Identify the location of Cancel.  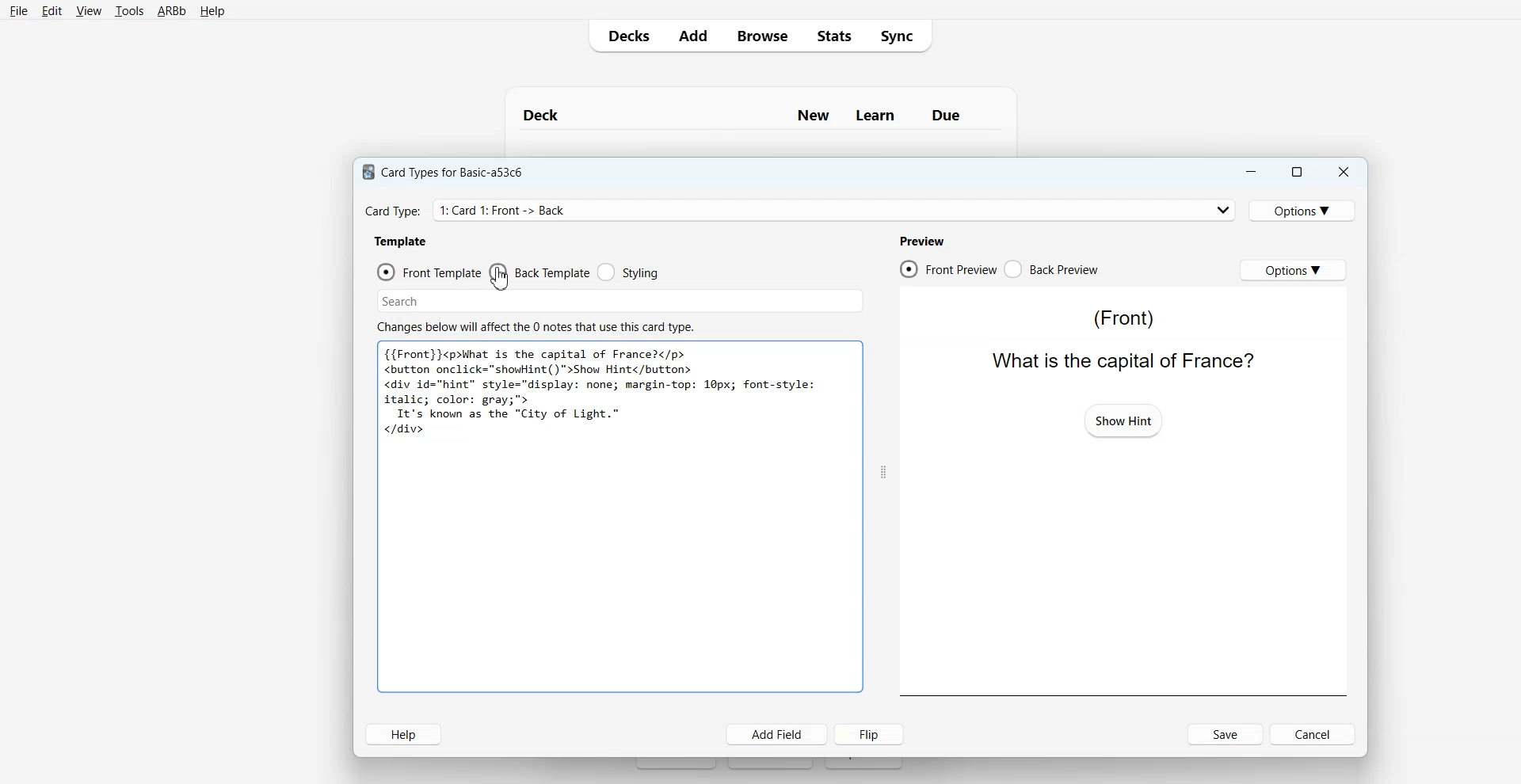
(1315, 733).